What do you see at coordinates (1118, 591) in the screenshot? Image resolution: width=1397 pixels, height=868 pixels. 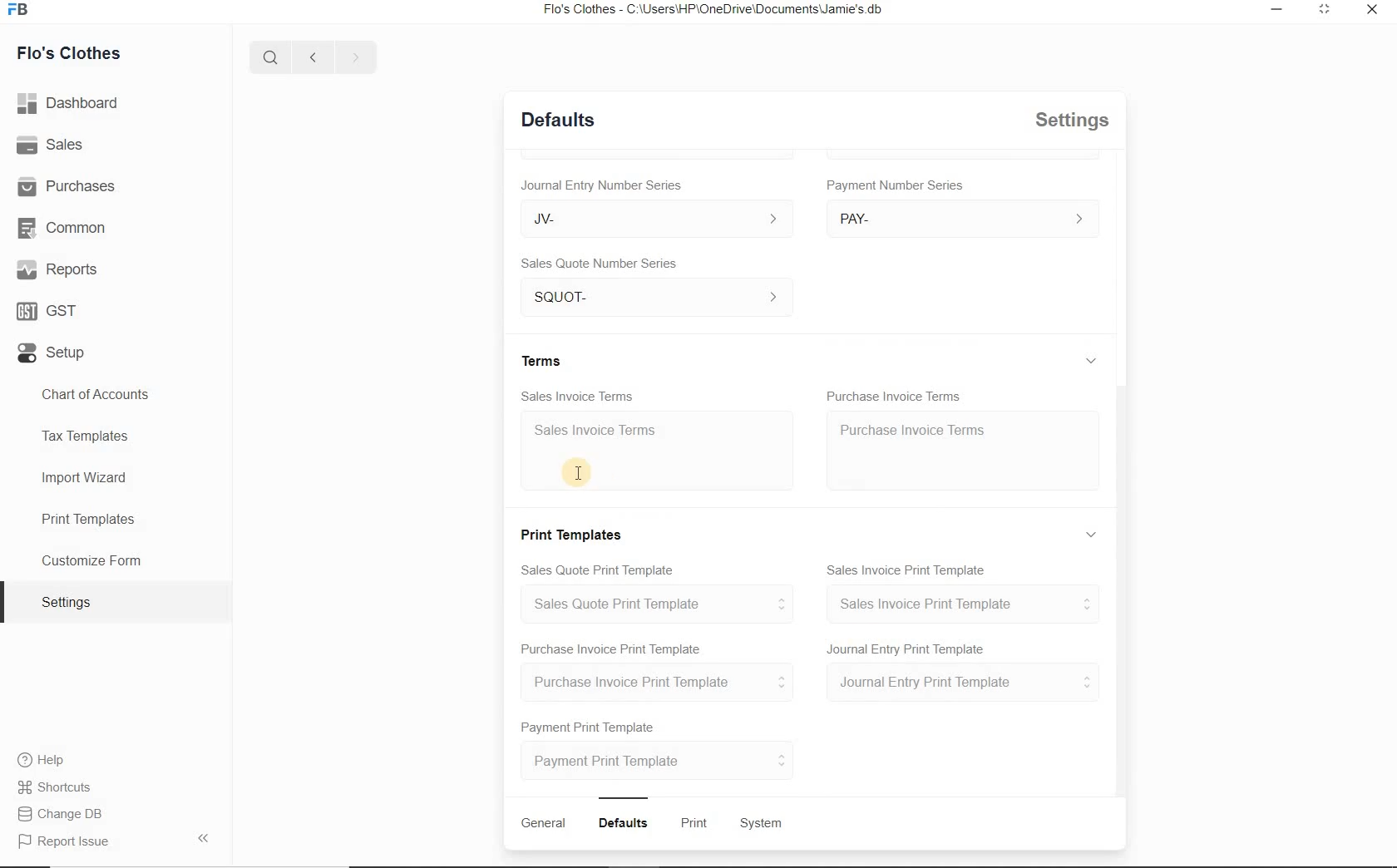 I see `Vertical scroll bar` at bounding box center [1118, 591].